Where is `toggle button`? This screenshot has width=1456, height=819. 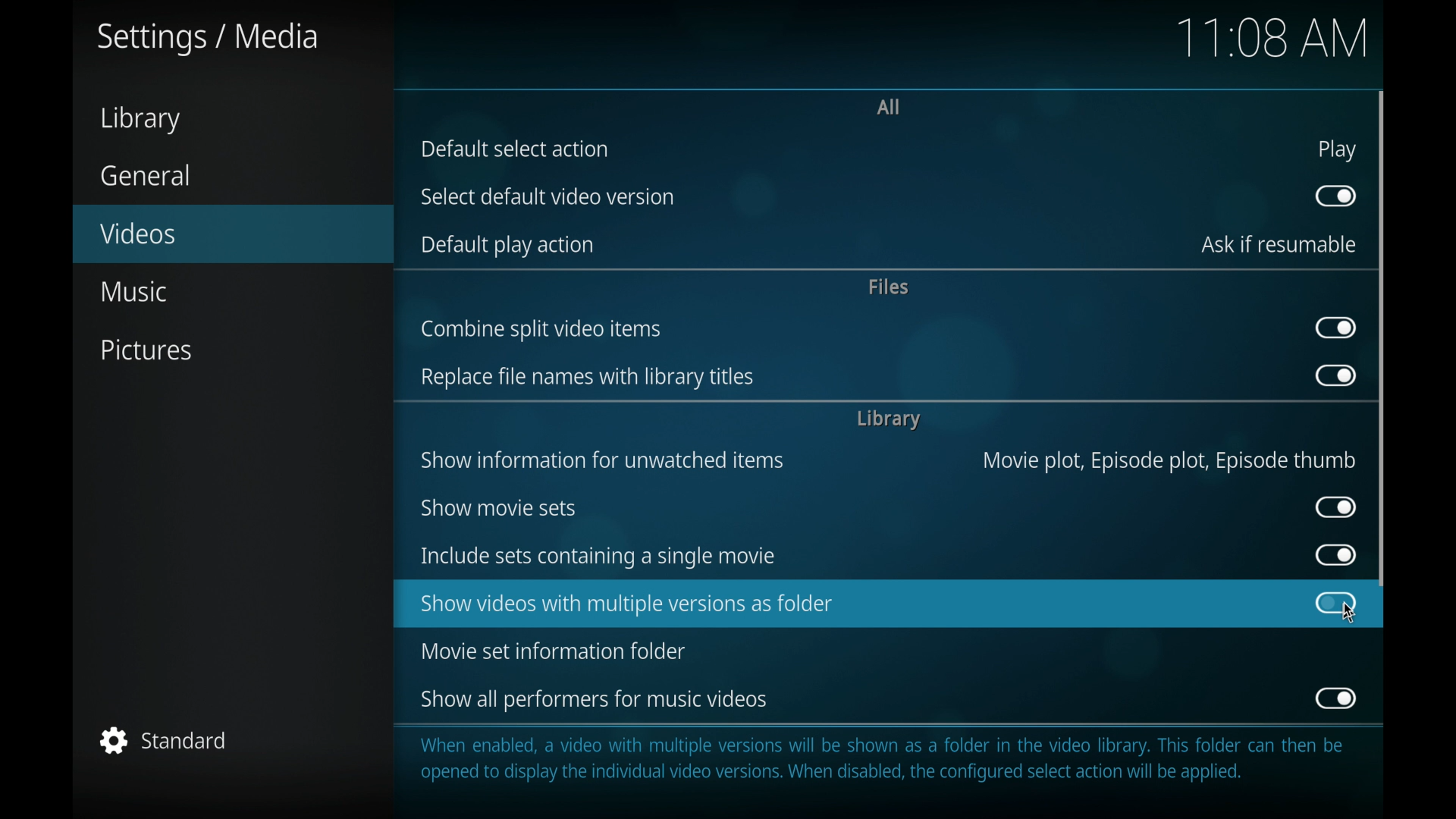
toggle button is located at coordinates (1336, 507).